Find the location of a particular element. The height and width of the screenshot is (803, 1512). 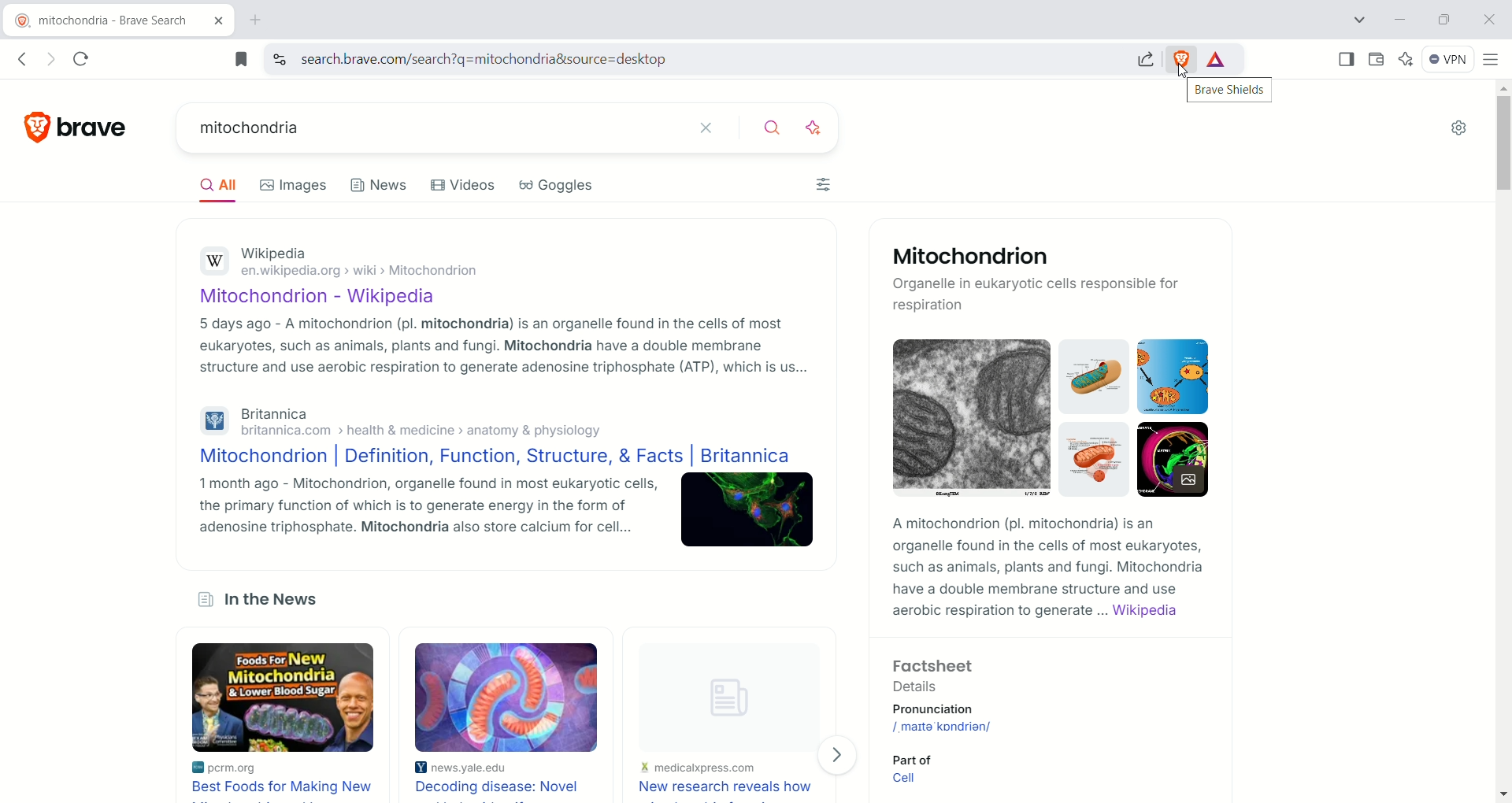

Image is located at coordinates (972, 417).